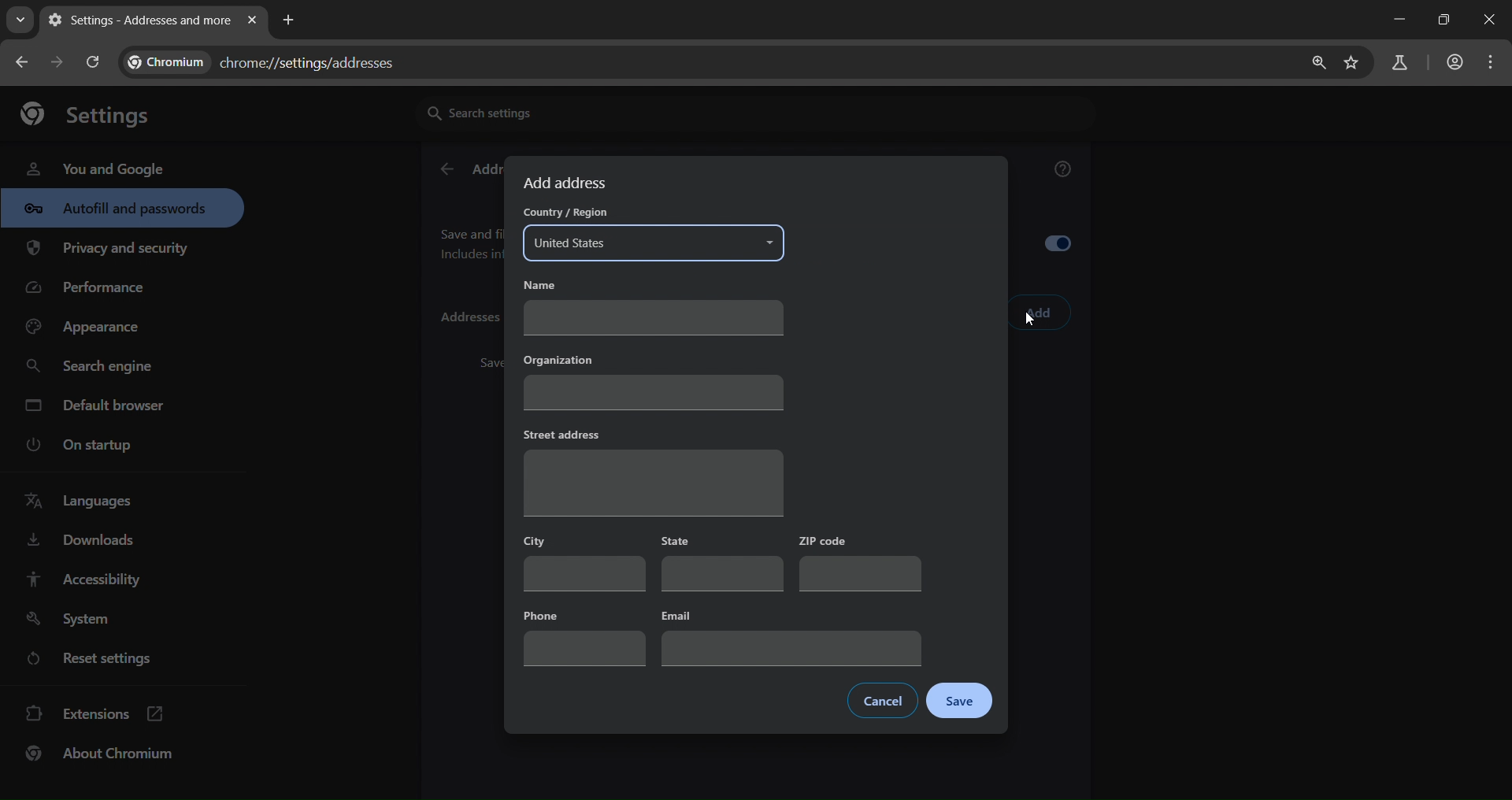 This screenshot has width=1512, height=800. What do you see at coordinates (80, 543) in the screenshot?
I see `downloads` at bounding box center [80, 543].